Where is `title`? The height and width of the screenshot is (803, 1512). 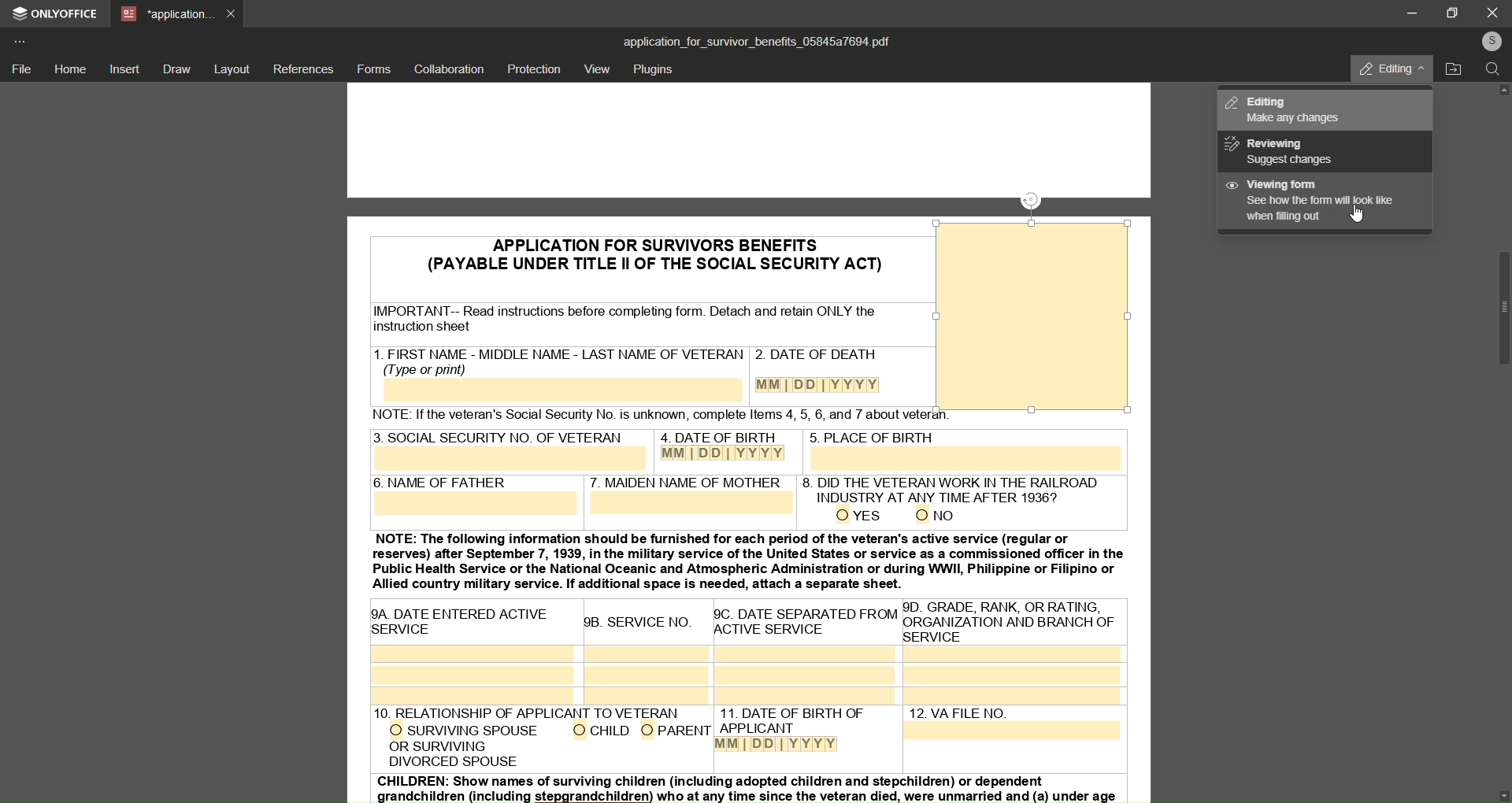
title is located at coordinates (756, 40).